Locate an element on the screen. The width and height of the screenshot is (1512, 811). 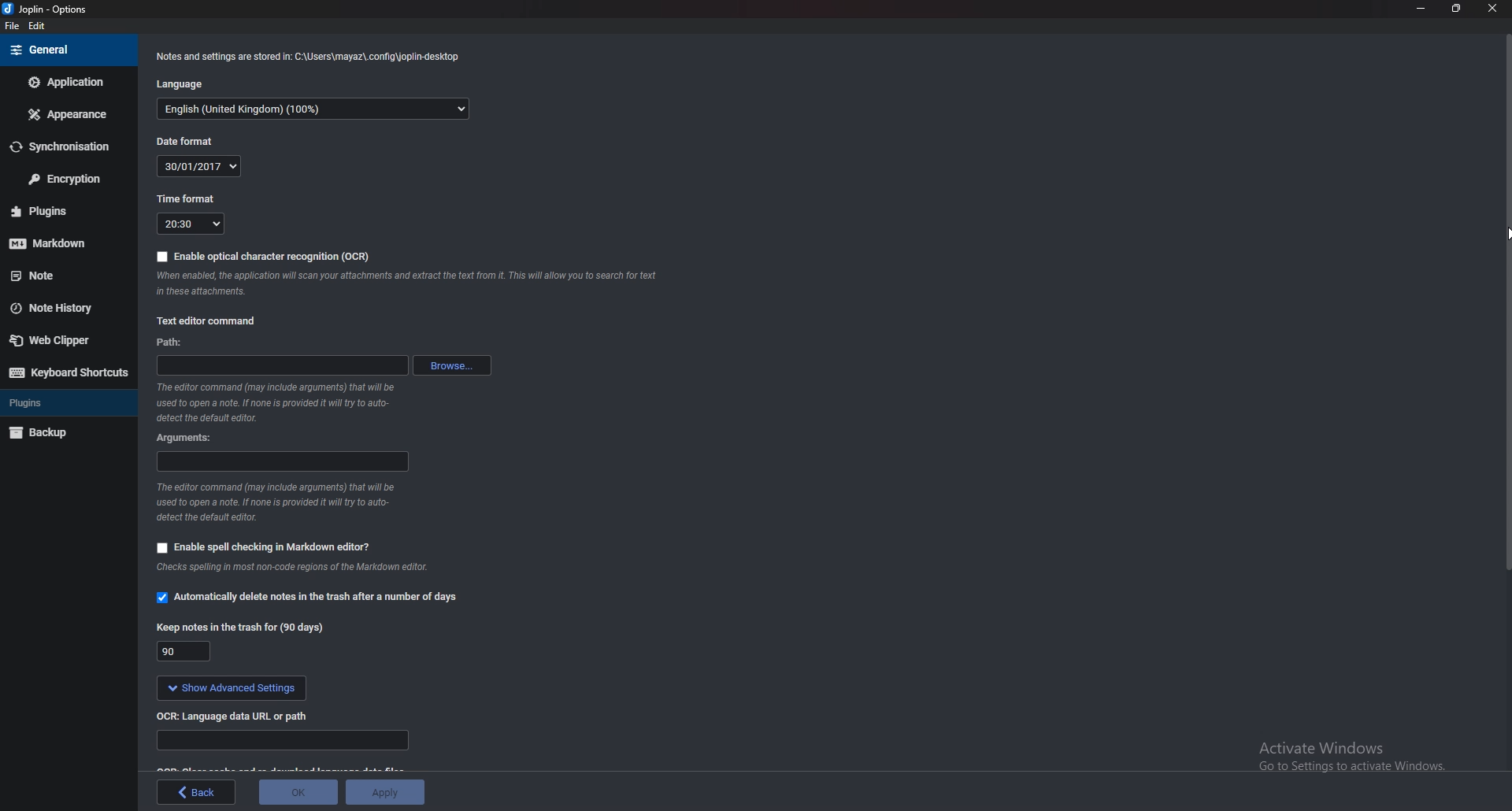
Enable O C R is located at coordinates (262, 257).